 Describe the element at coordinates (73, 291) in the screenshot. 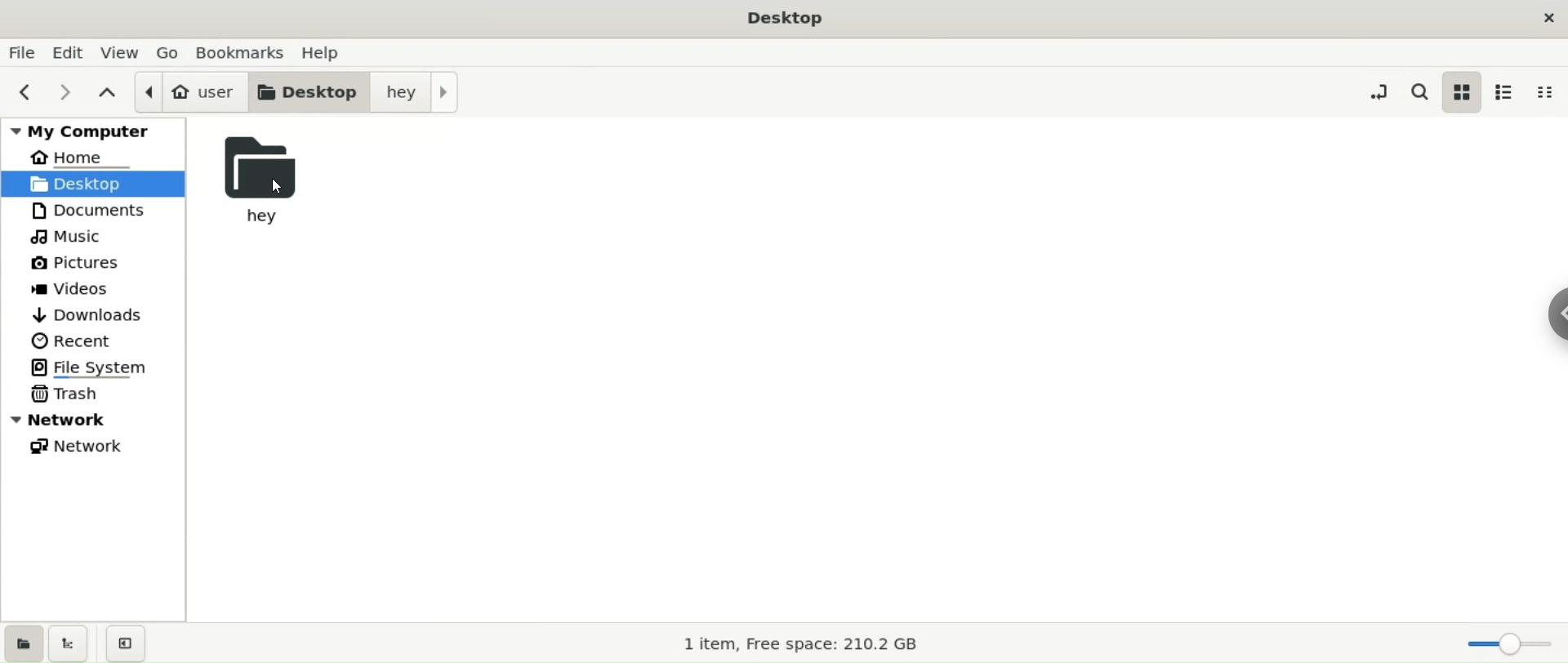

I see `videos` at that location.